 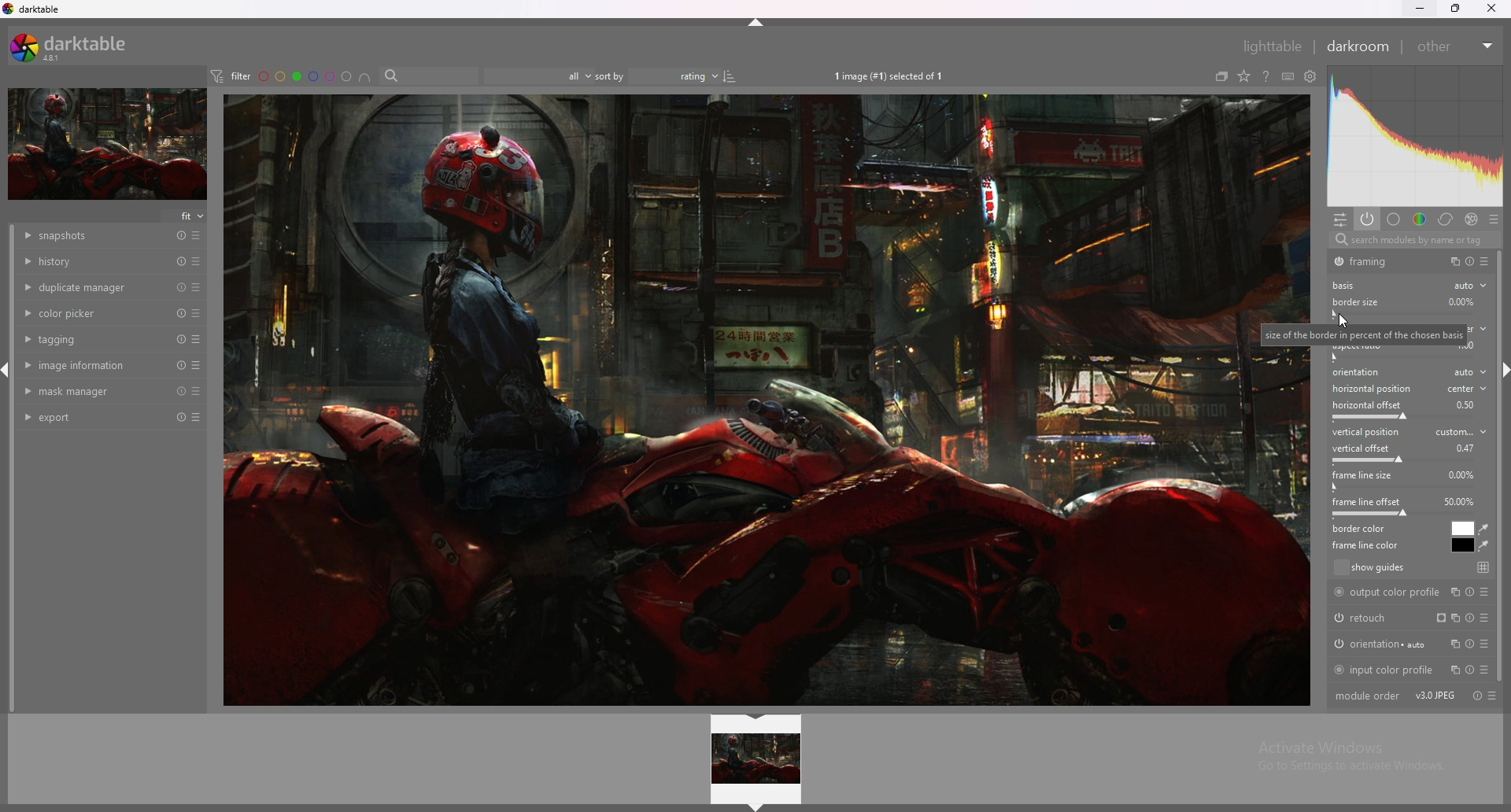 What do you see at coordinates (1364, 448) in the screenshot?
I see `vertical offset` at bounding box center [1364, 448].